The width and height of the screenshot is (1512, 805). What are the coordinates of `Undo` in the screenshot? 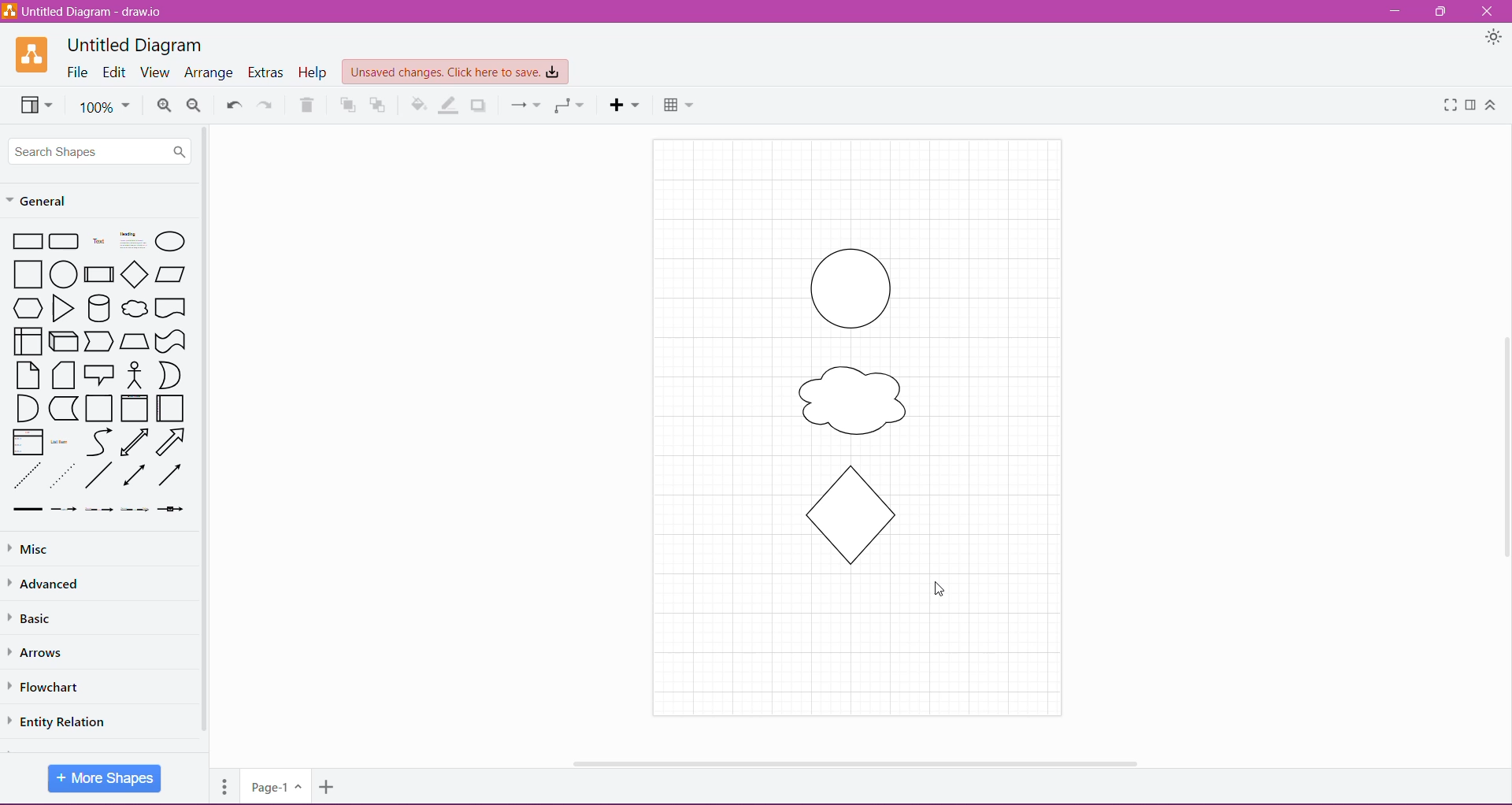 It's located at (232, 103).